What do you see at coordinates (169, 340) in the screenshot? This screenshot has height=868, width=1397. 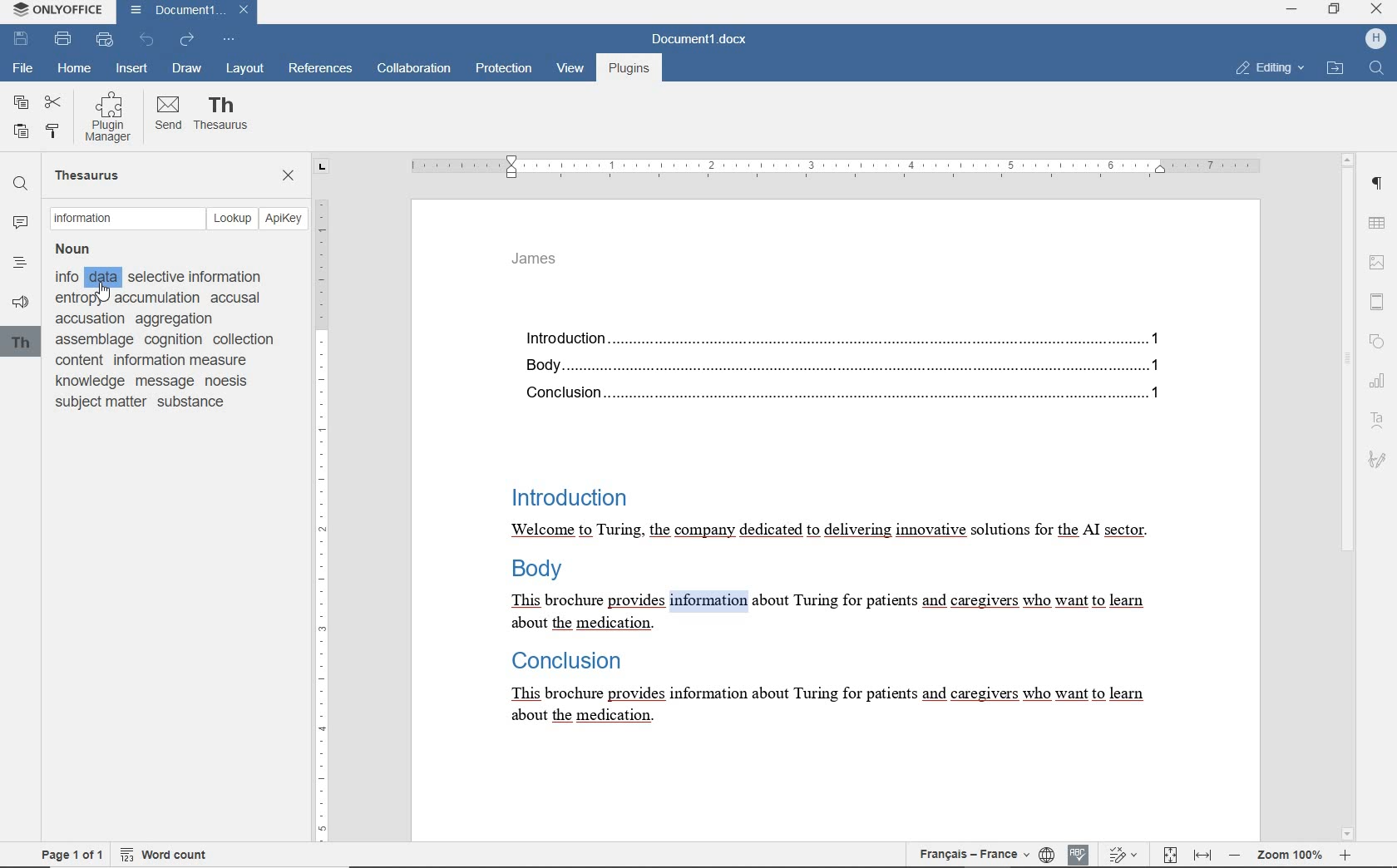 I see `info selective information
anton accumulation accusal
accusation aggregation
assemblage cognition collection
content information measure
knowledge message noesis
subject matter substance` at bounding box center [169, 340].